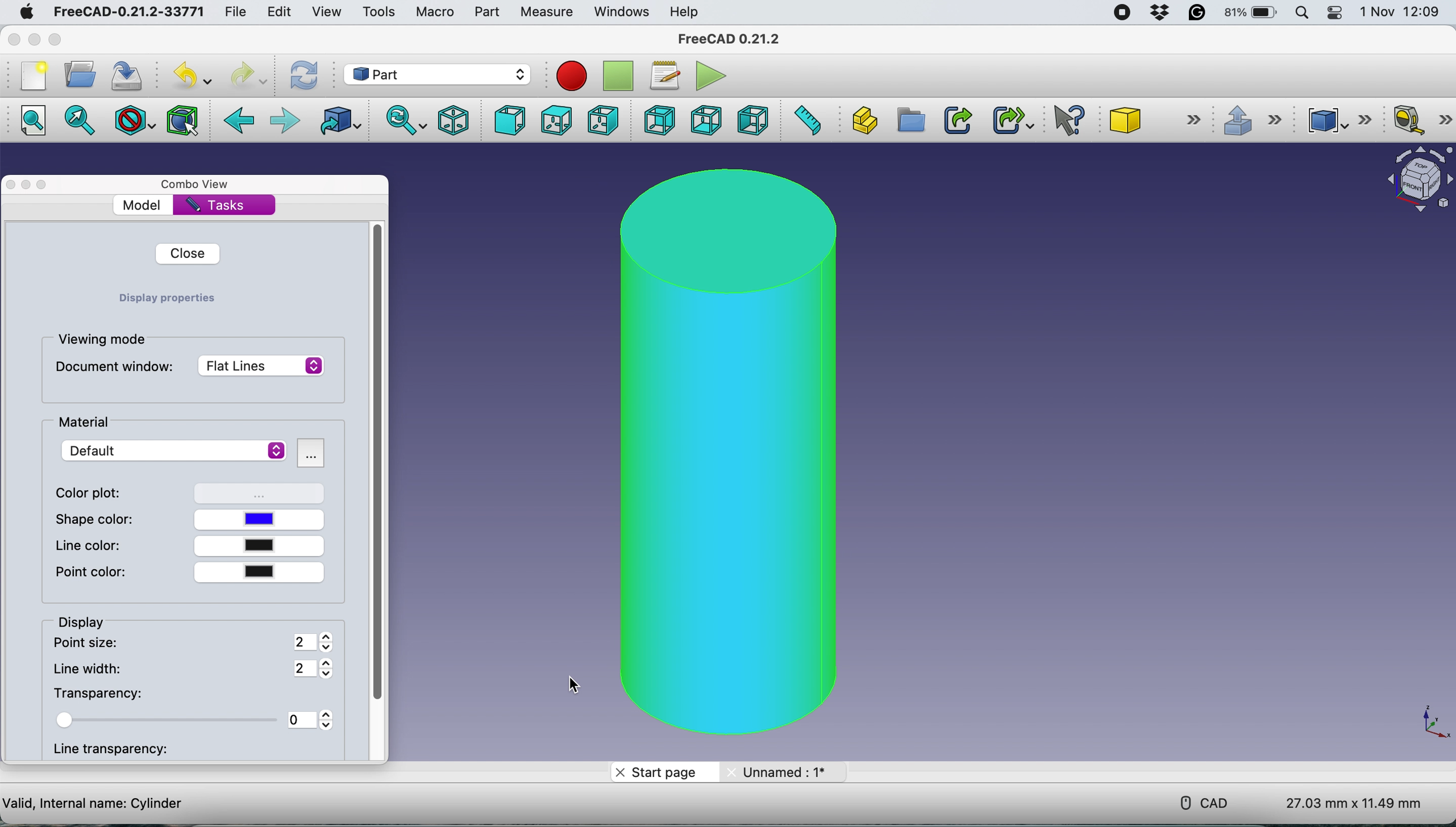  What do you see at coordinates (92, 424) in the screenshot?
I see `material` at bounding box center [92, 424].